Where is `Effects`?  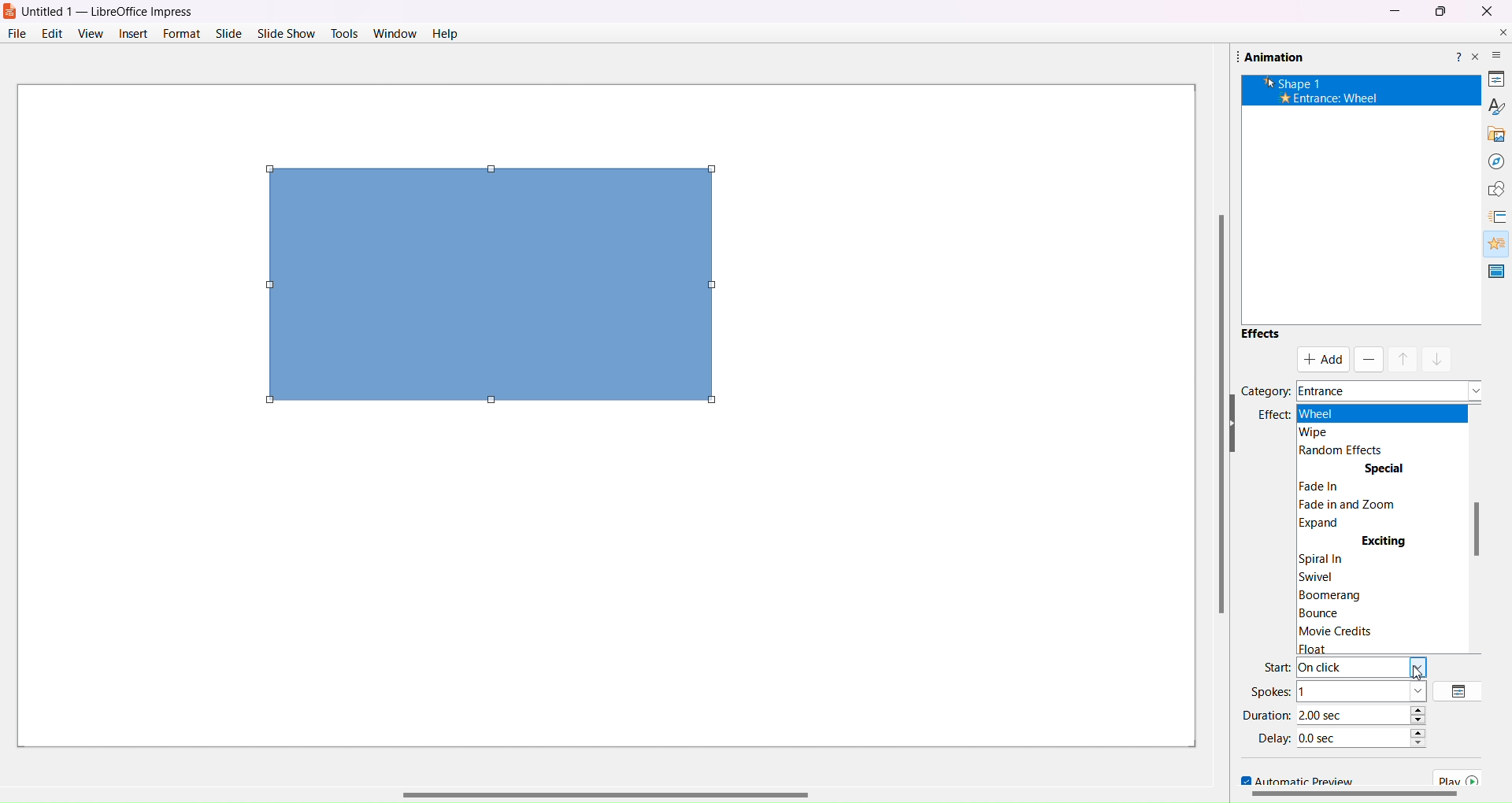 Effects is located at coordinates (1260, 333).